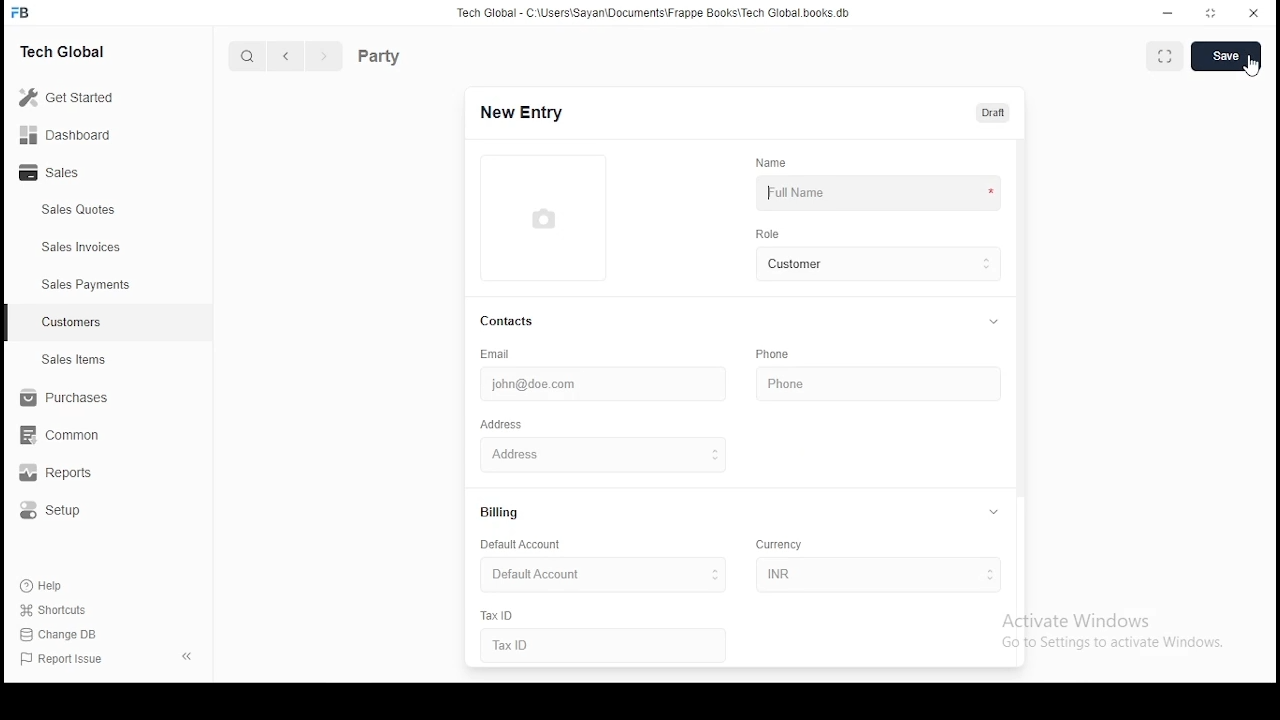  Describe the element at coordinates (82, 285) in the screenshot. I see `sales payments` at that location.